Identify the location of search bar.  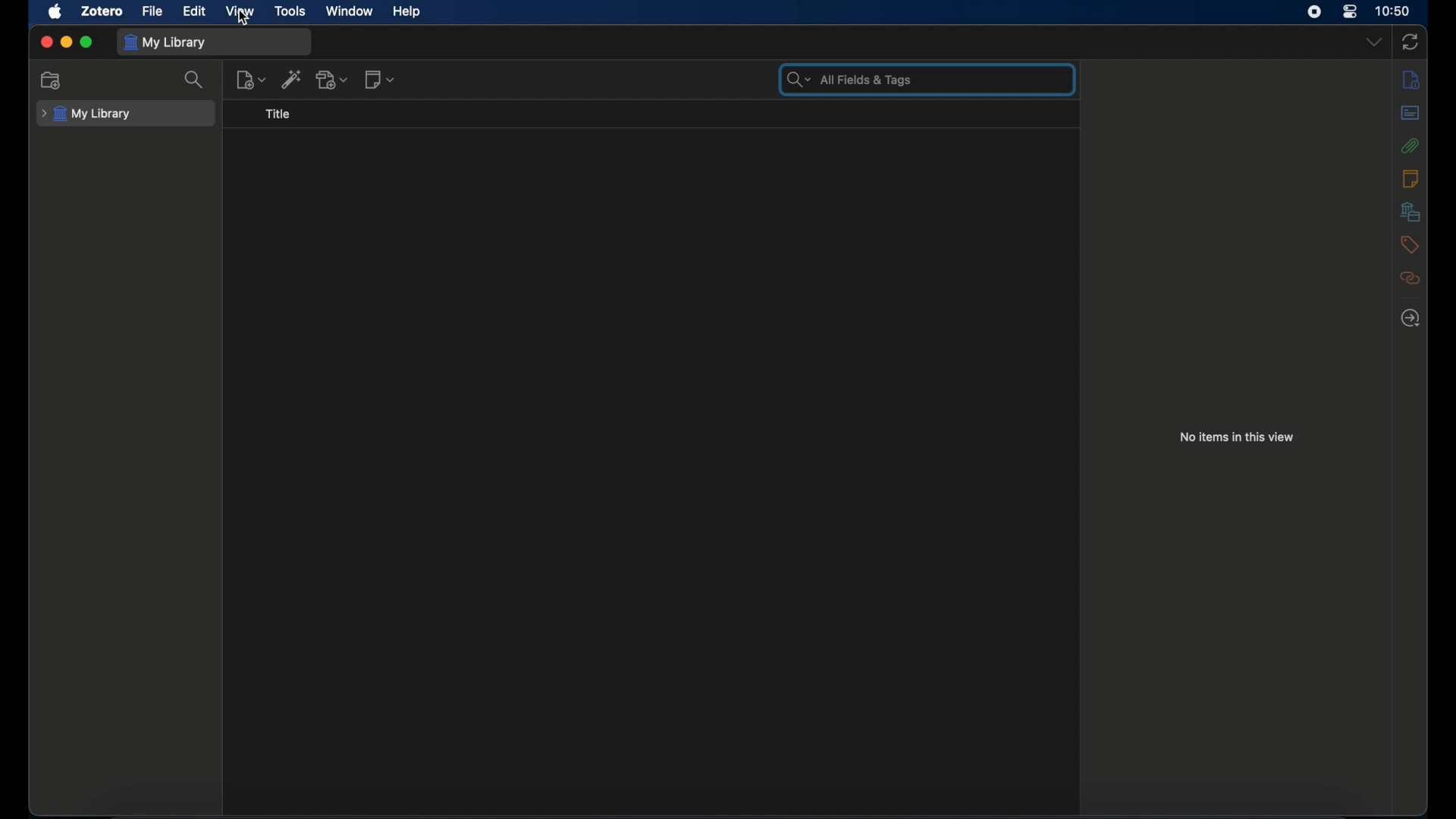
(847, 79).